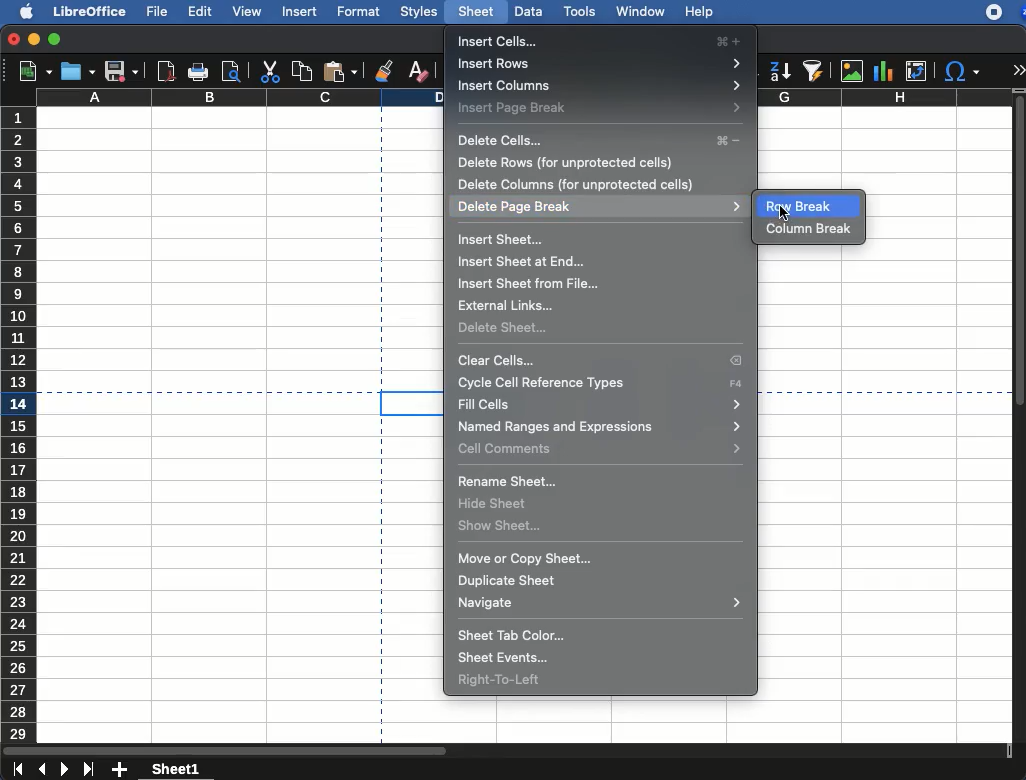  What do you see at coordinates (526, 11) in the screenshot?
I see `data` at bounding box center [526, 11].